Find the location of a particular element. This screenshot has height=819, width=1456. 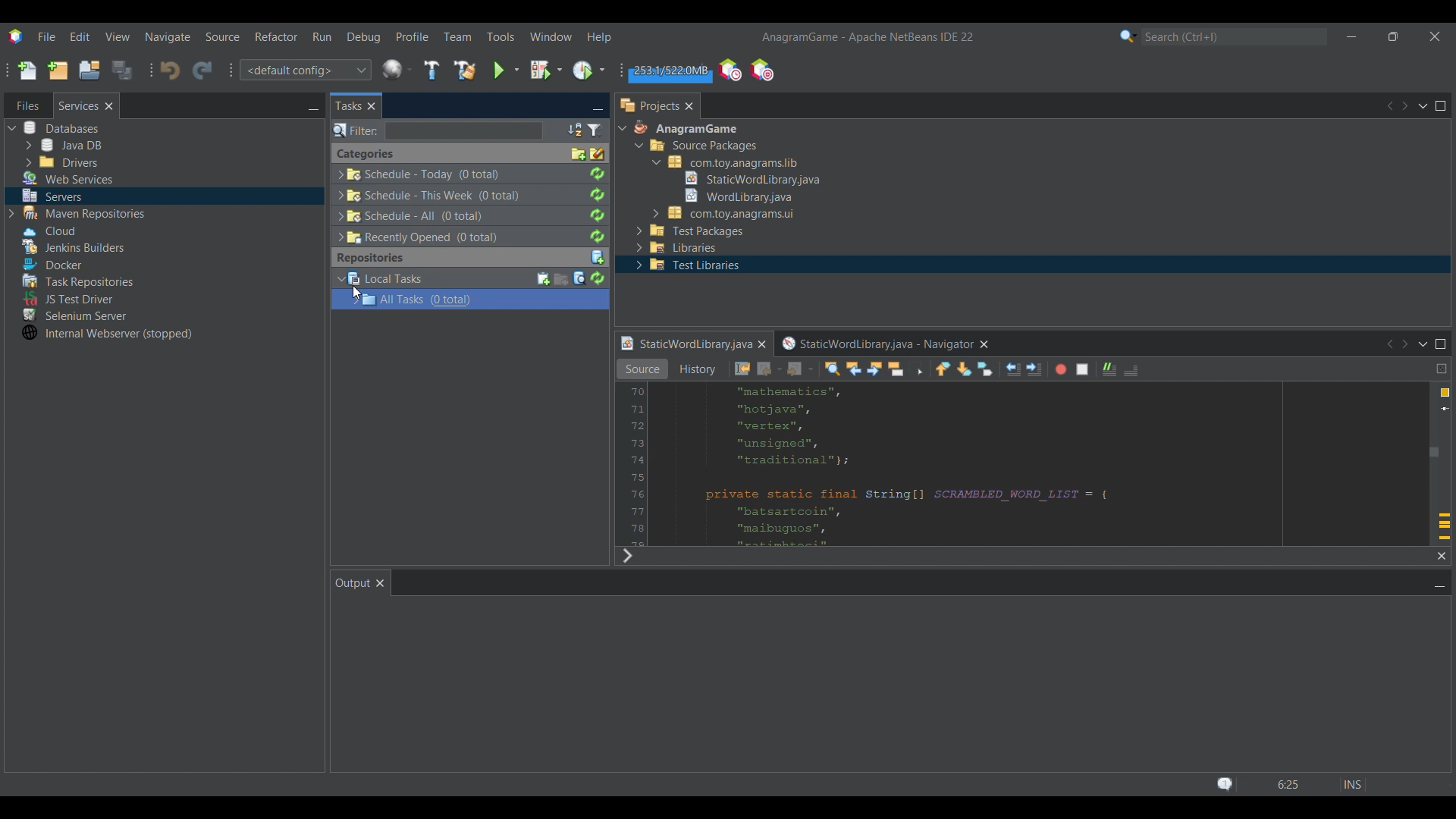

Debug menu is located at coordinates (362, 37).